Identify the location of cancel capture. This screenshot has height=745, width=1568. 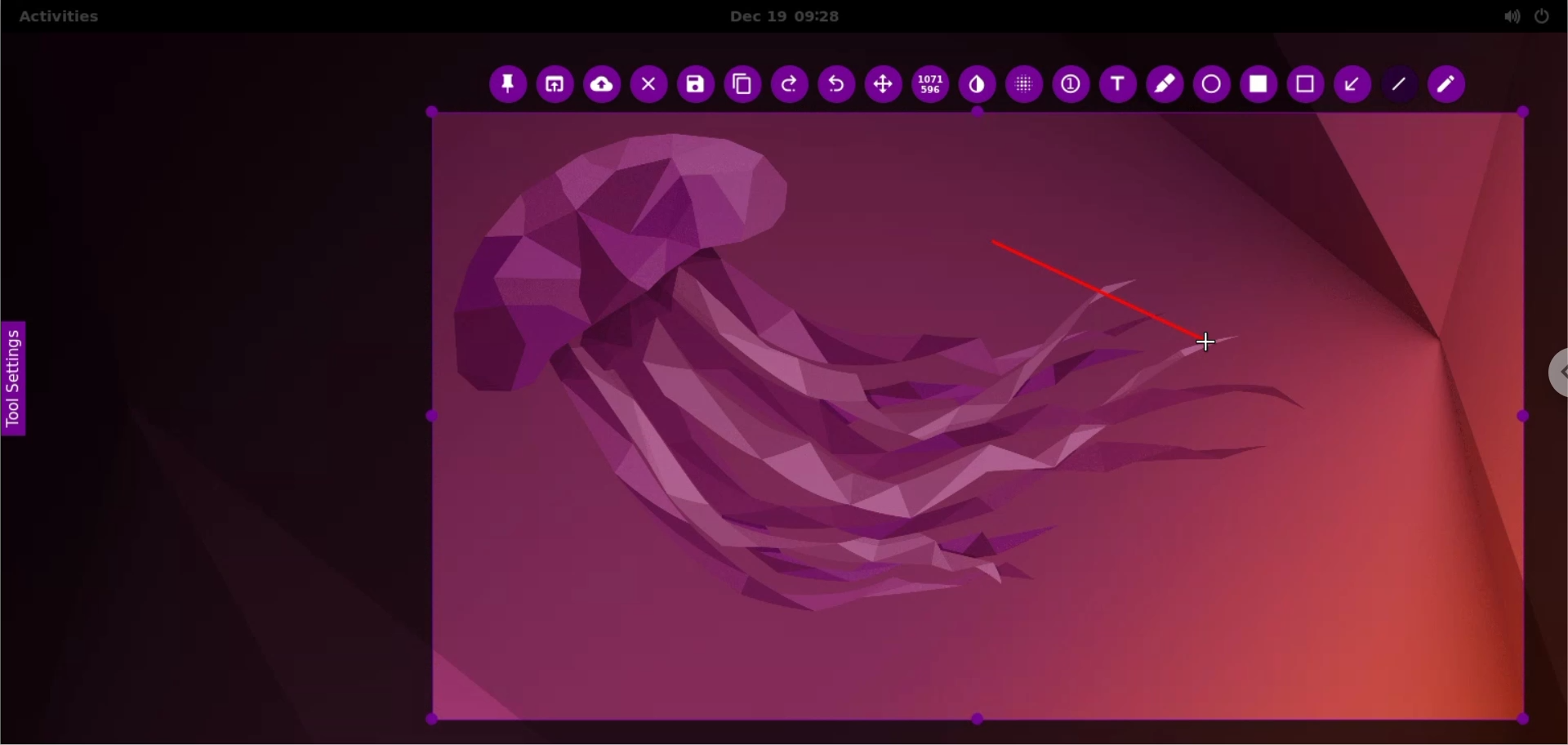
(650, 84).